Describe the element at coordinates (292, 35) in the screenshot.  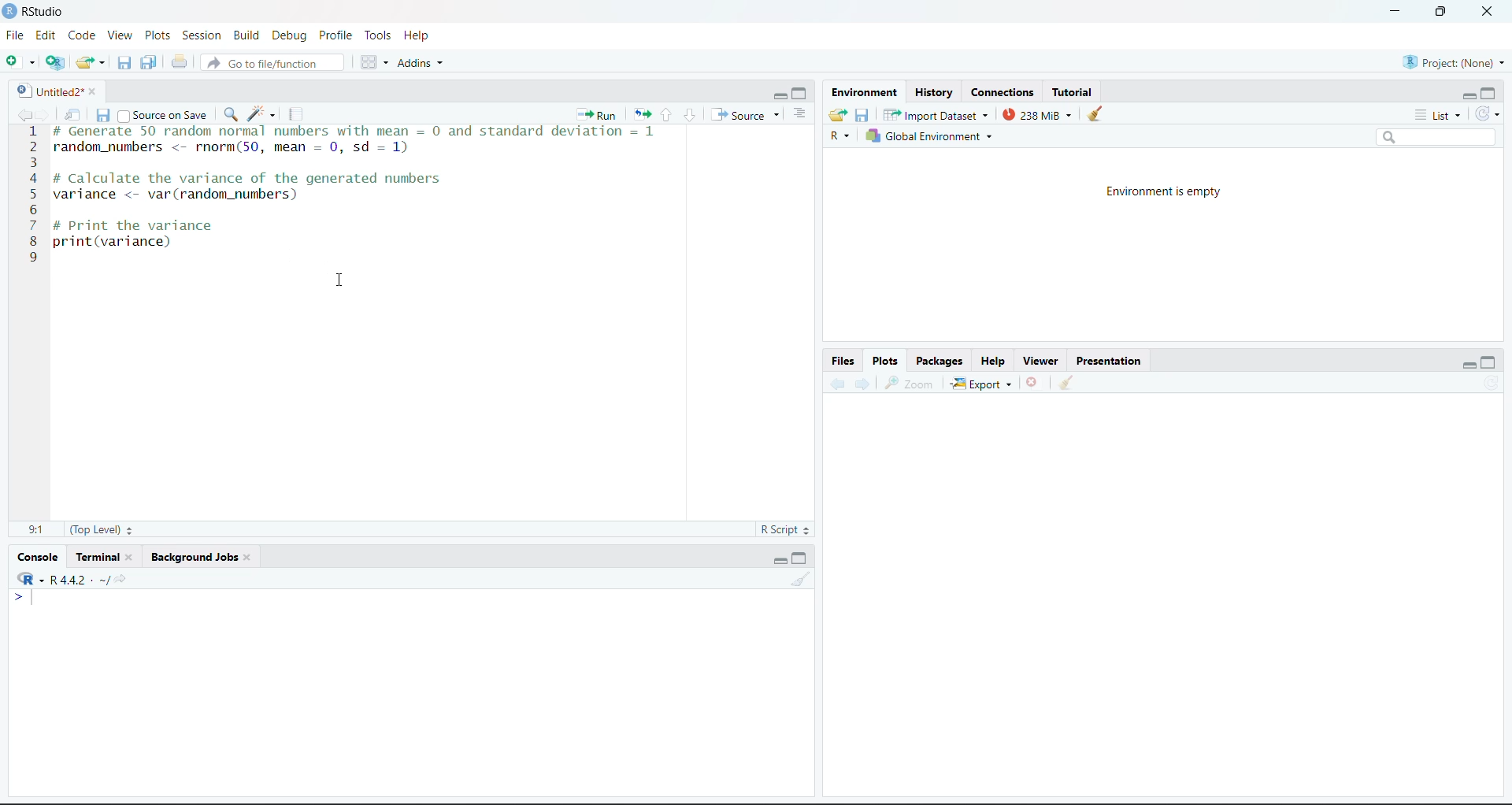
I see `Debug` at that location.